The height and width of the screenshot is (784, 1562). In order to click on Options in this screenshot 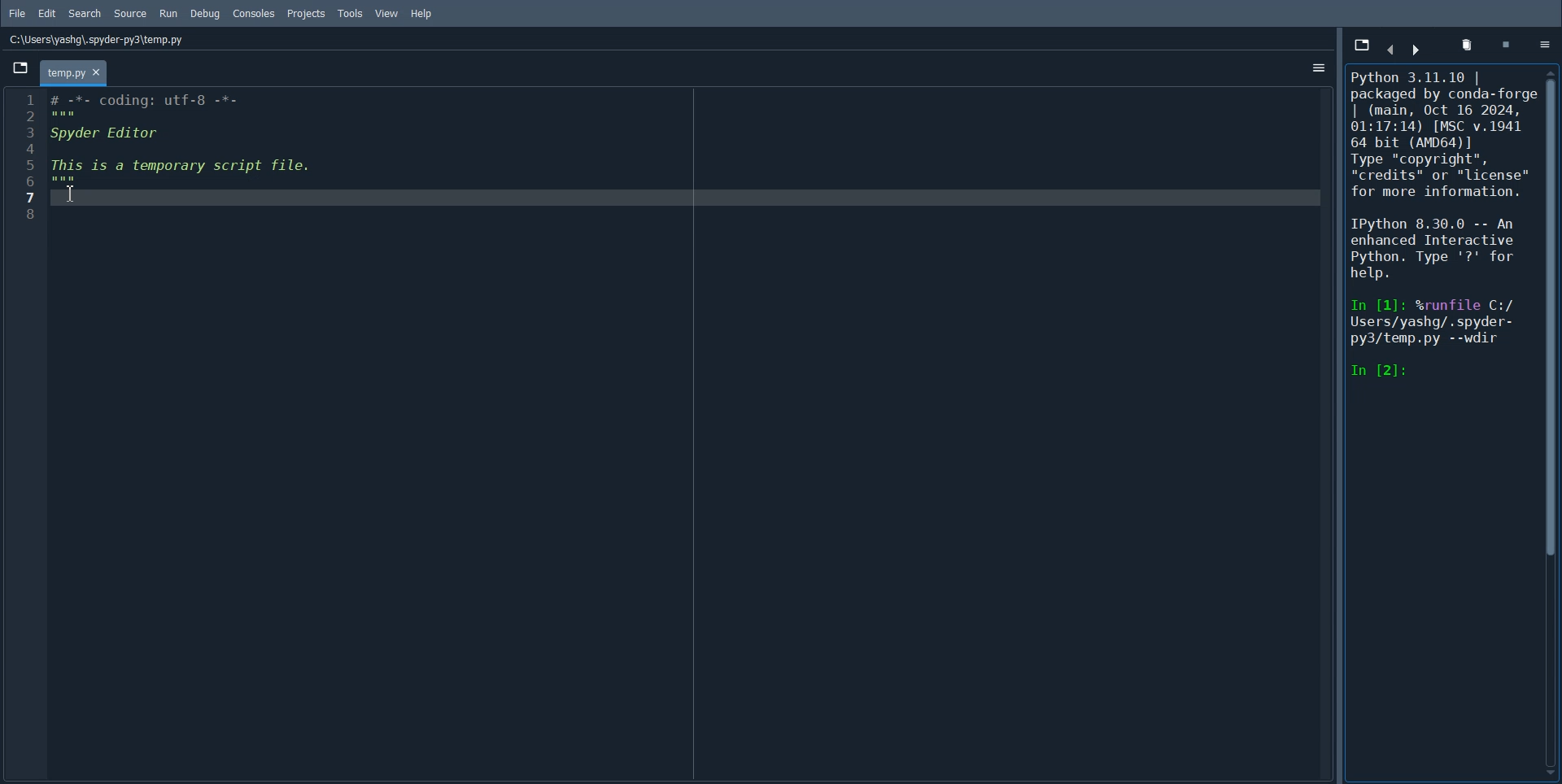, I will do `click(1547, 42)`.